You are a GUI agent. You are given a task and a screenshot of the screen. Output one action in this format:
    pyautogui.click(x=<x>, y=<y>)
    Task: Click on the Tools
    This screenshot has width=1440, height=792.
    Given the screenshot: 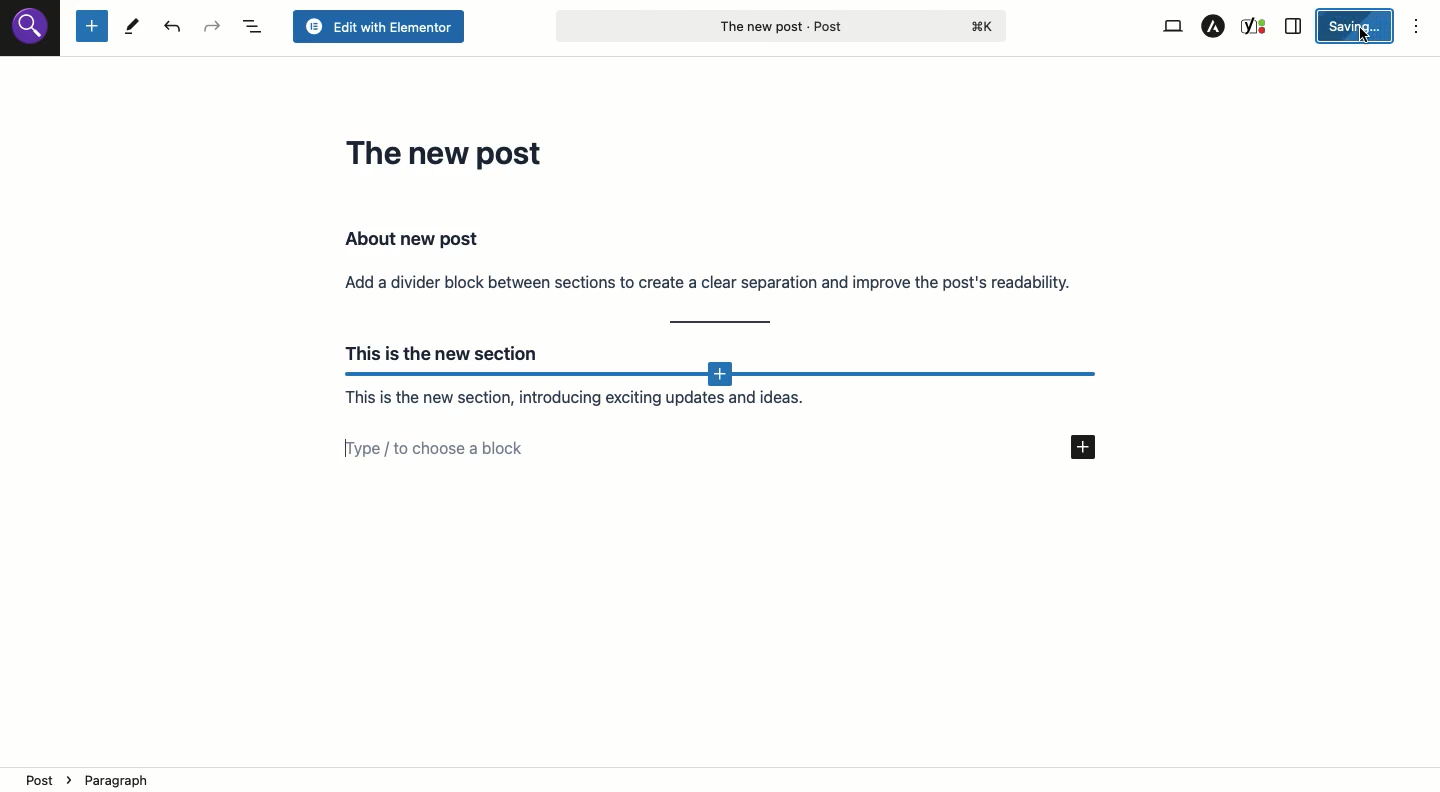 What is the action you would take?
    pyautogui.click(x=132, y=28)
    